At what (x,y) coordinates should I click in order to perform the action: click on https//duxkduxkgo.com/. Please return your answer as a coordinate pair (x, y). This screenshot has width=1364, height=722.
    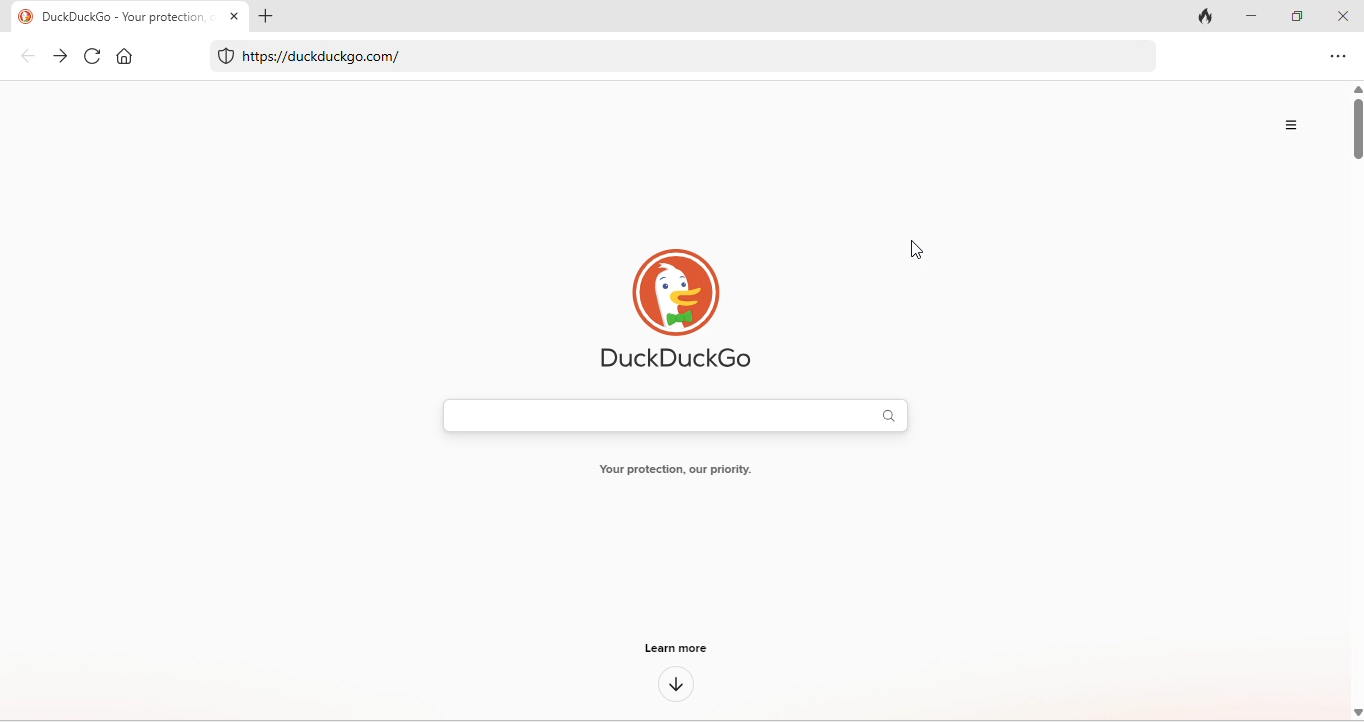
    Looking at the image, I should click on (678, 54).